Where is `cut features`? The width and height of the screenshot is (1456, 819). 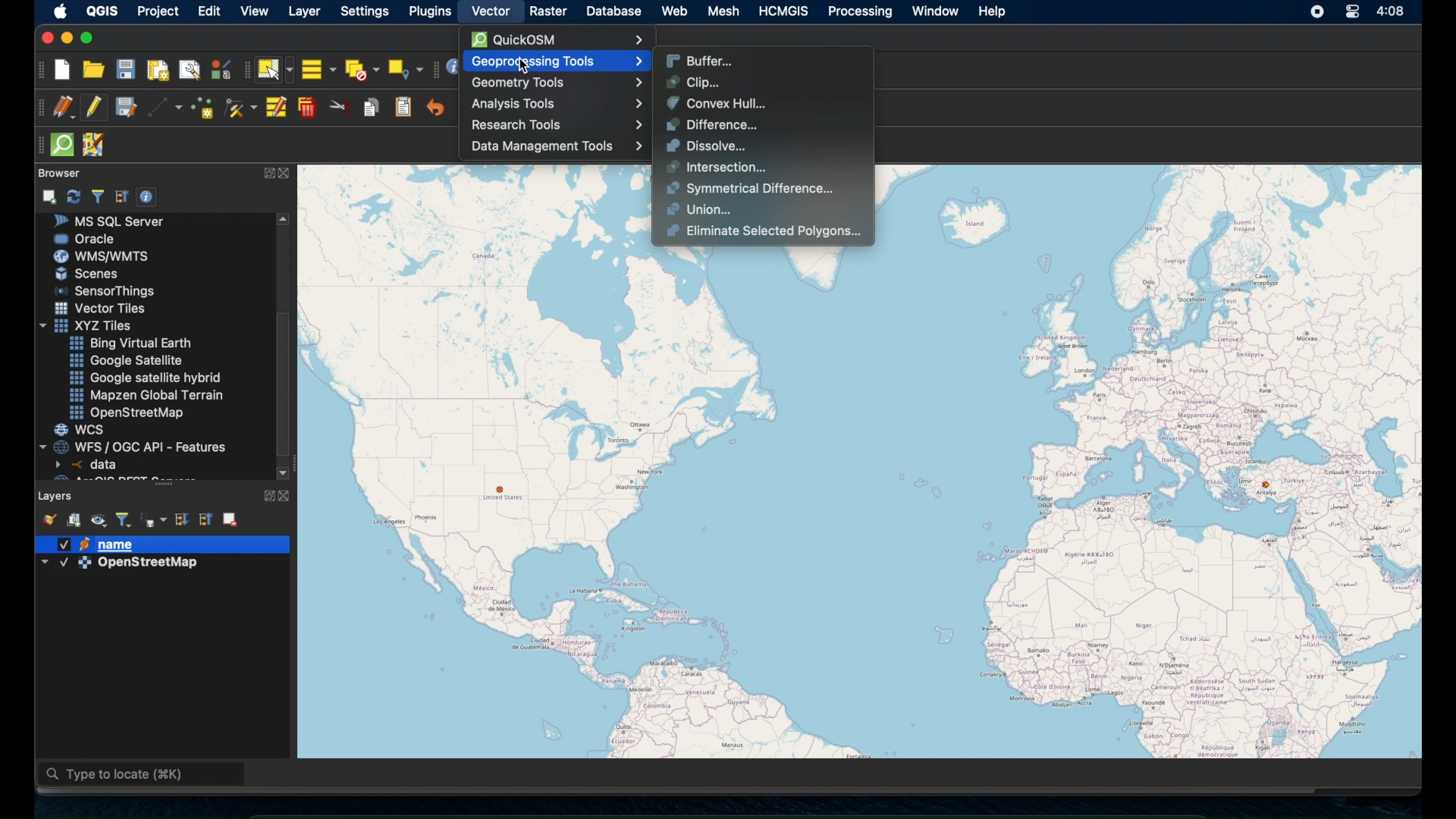 cut features is located at coordinates (340, 107).